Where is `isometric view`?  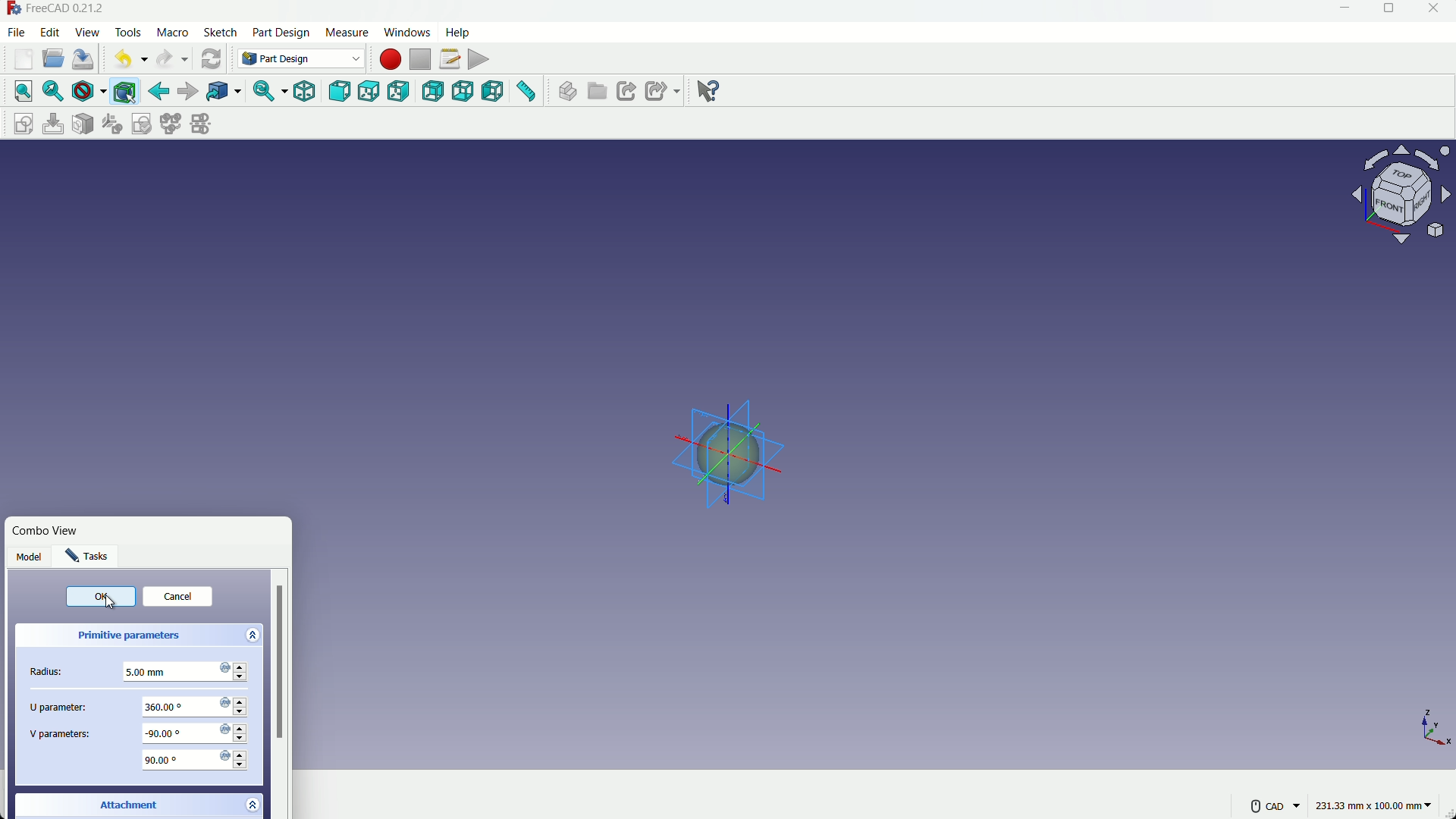 isometric view is located at coordinates (303, 91).